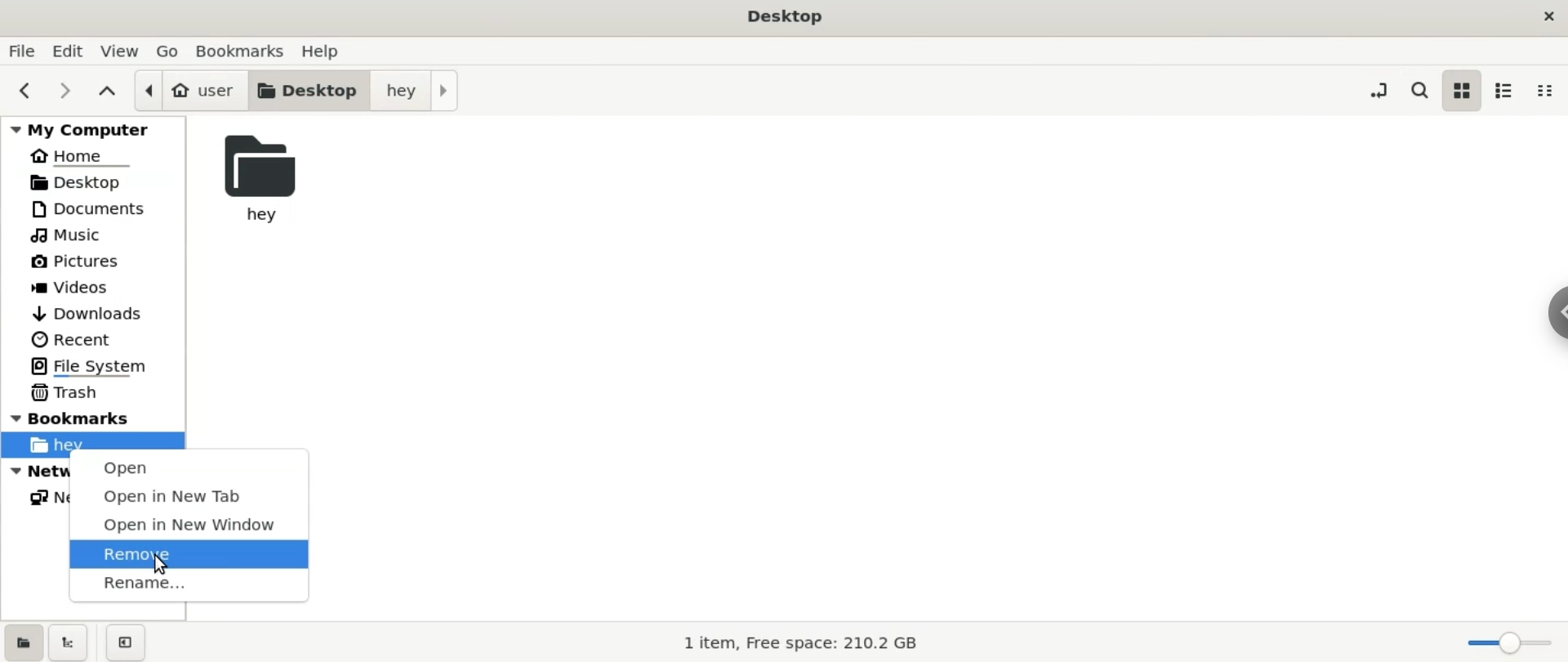 Image resolution: width=1568 pixels, height=662 pixels. Describe the element at coordinates (189, 589) in the screenshot. I see `rename` at that location.